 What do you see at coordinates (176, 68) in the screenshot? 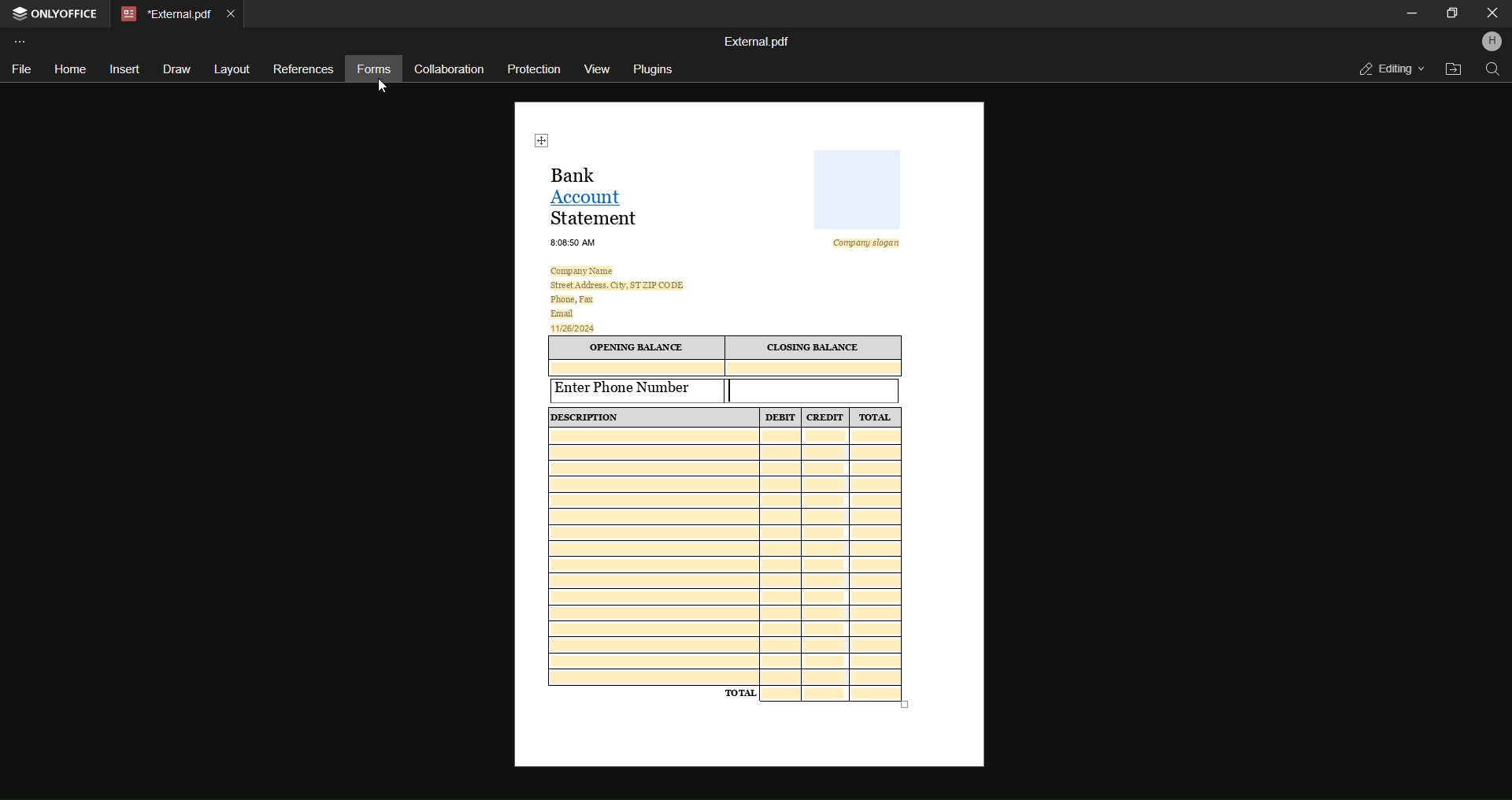
I see `draw` at bounding box center [176, 68].